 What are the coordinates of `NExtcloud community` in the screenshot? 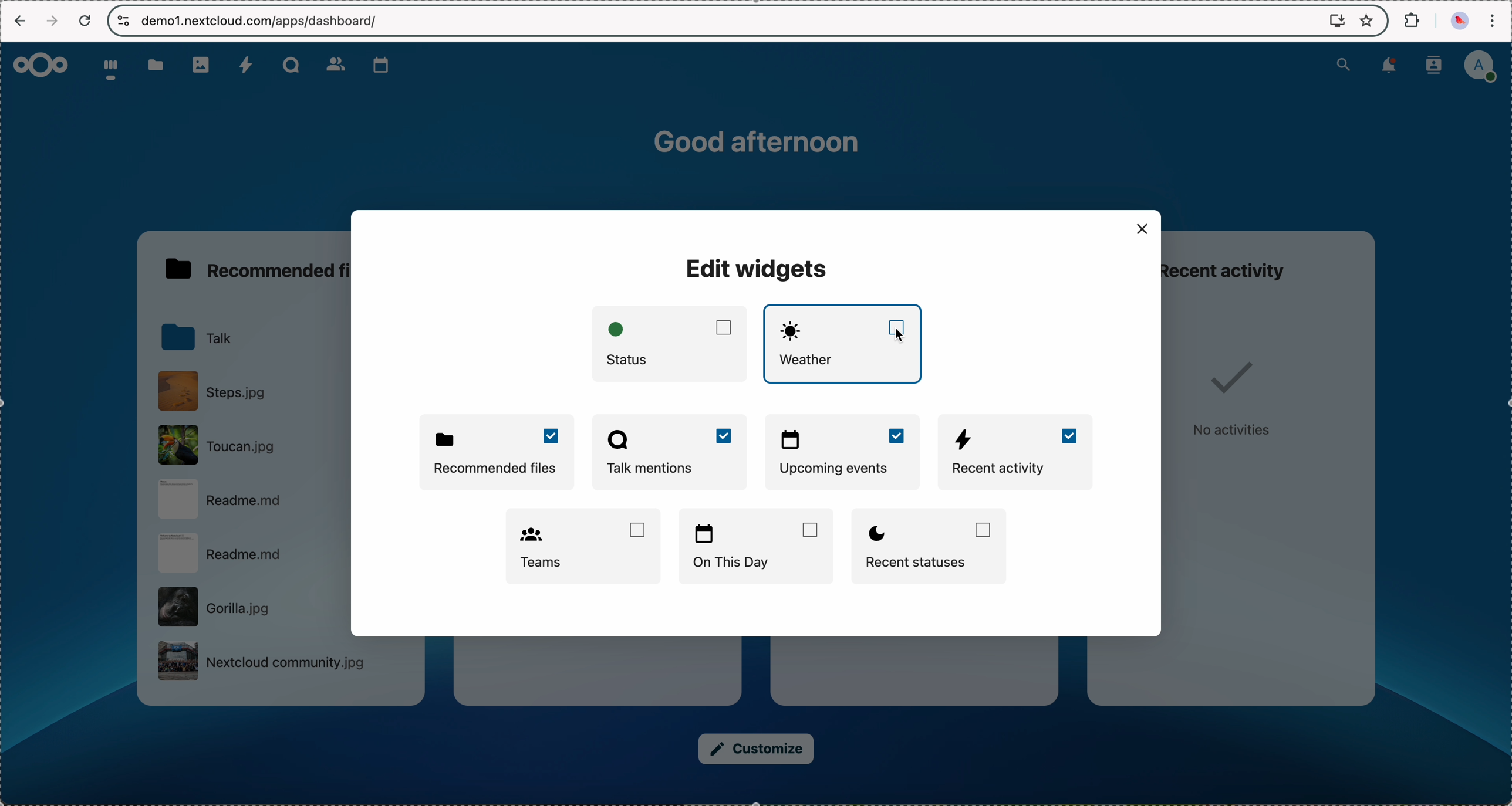 It's located at (259, 663).